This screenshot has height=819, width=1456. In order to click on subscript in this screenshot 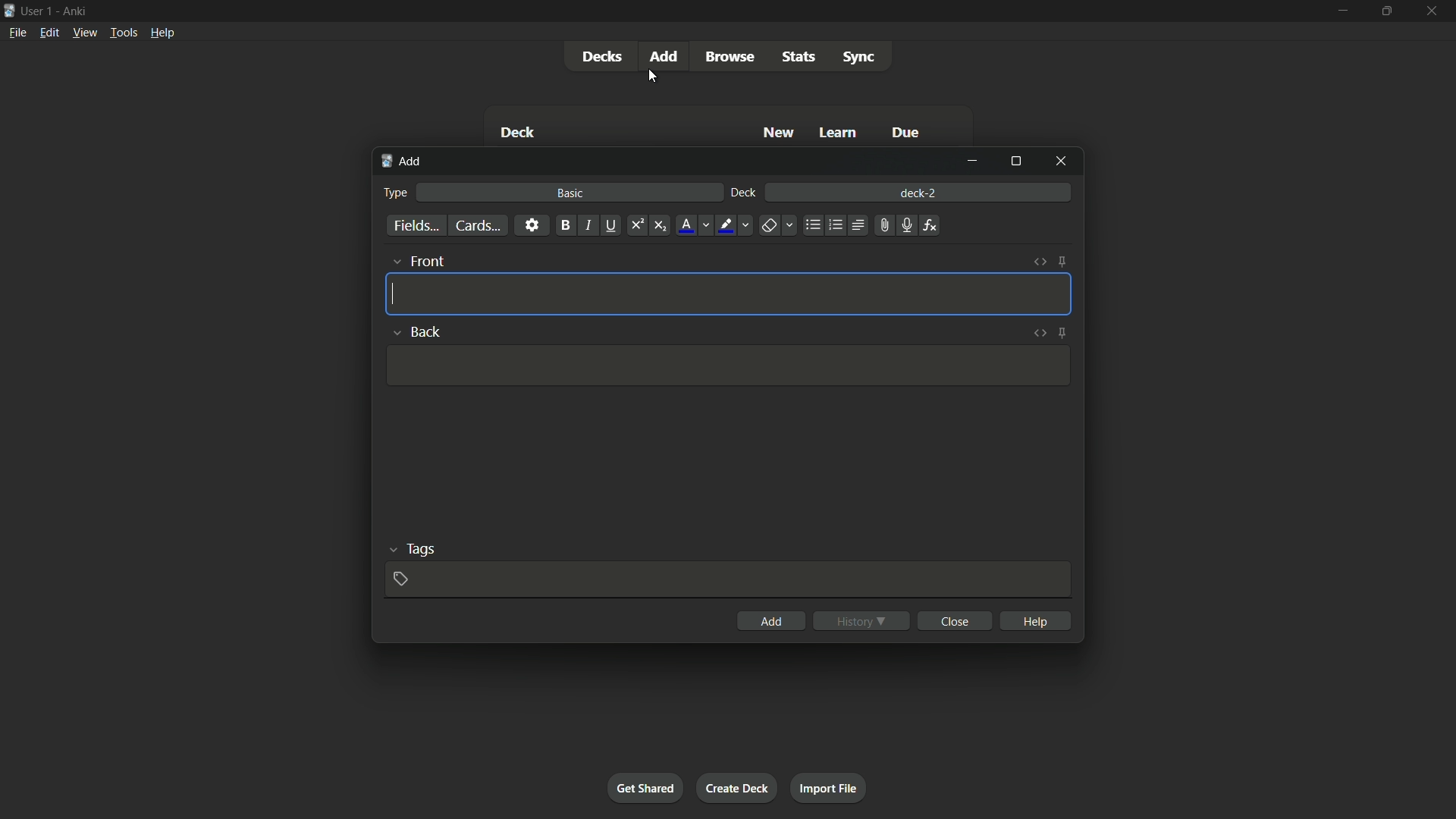, I will do `click(660, 226)`.